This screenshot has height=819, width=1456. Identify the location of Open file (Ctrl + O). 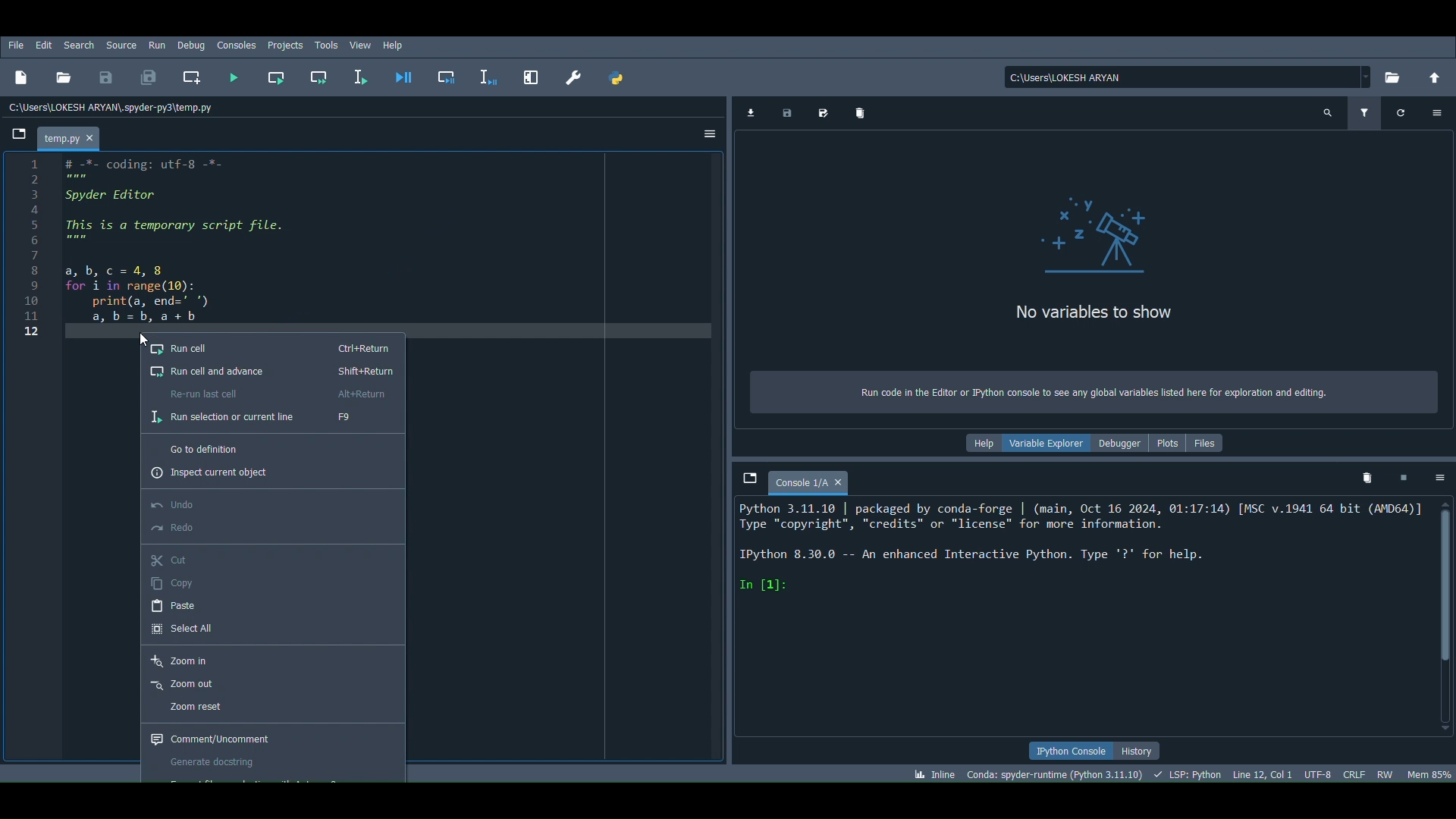
(67, 77).